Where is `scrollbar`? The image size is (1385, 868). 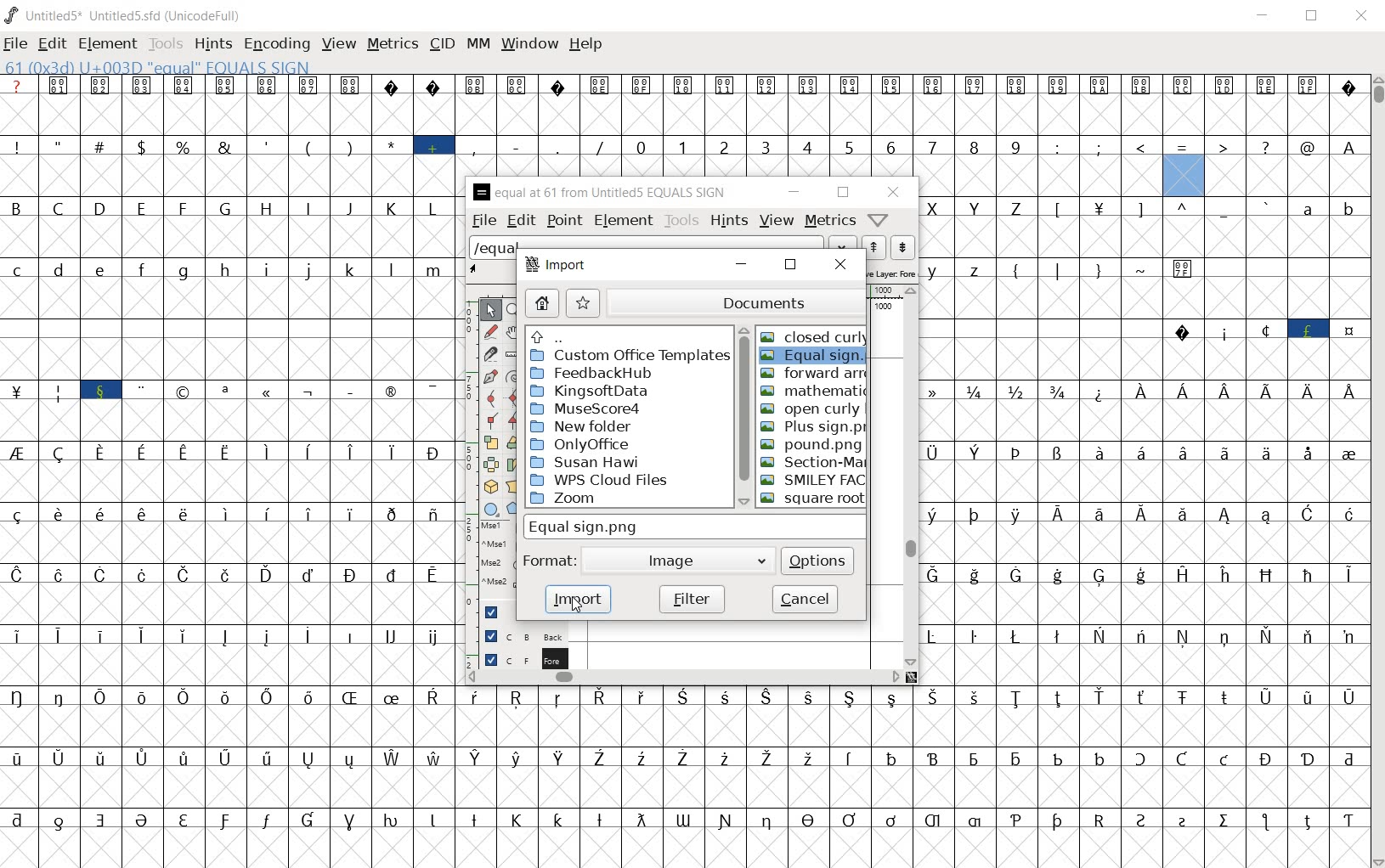
scrollbar is located at coordinates (1377, 471).